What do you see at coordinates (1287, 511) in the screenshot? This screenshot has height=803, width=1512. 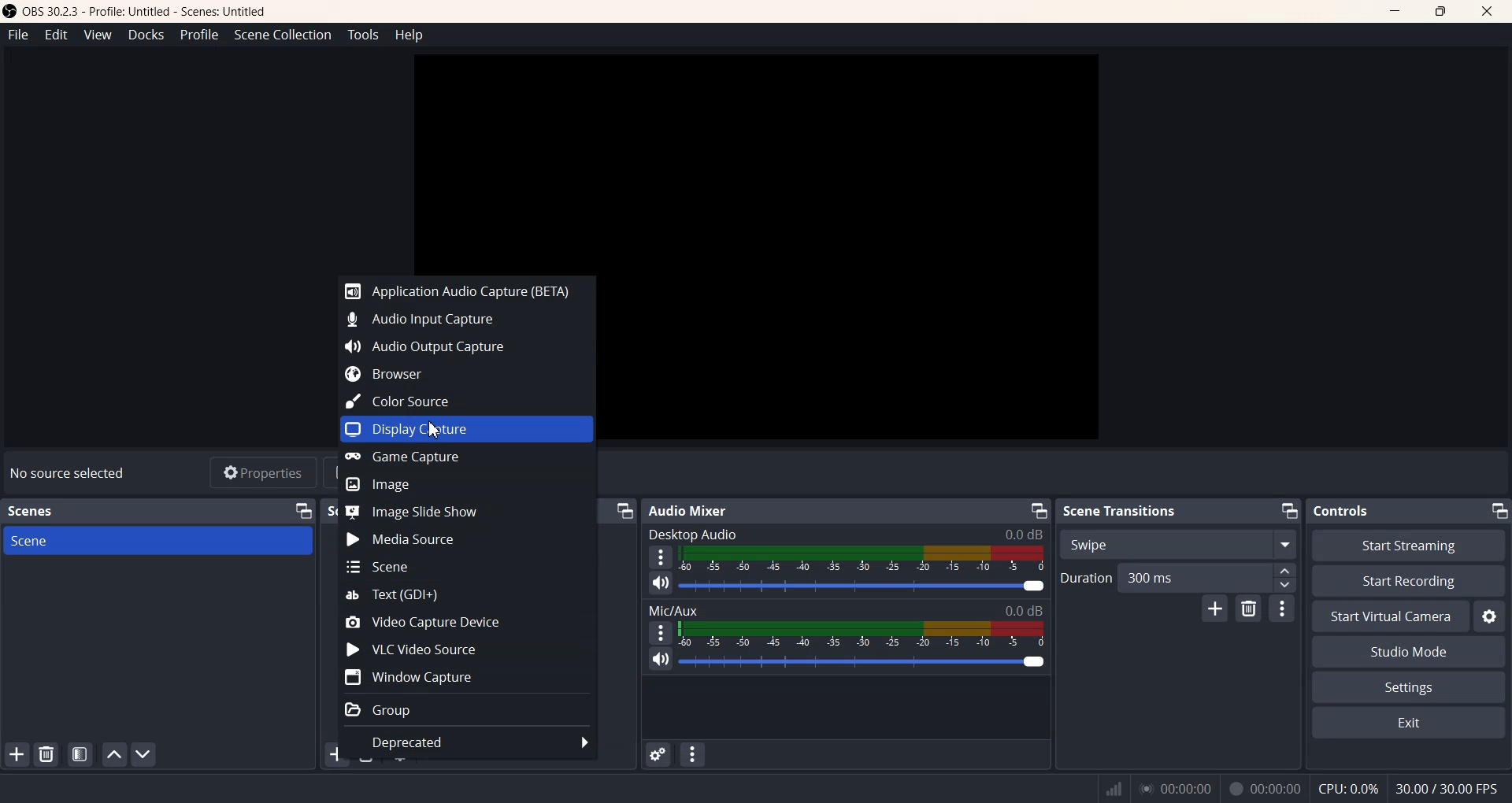 I see `Minimize` at bounding box center [1287, 511].